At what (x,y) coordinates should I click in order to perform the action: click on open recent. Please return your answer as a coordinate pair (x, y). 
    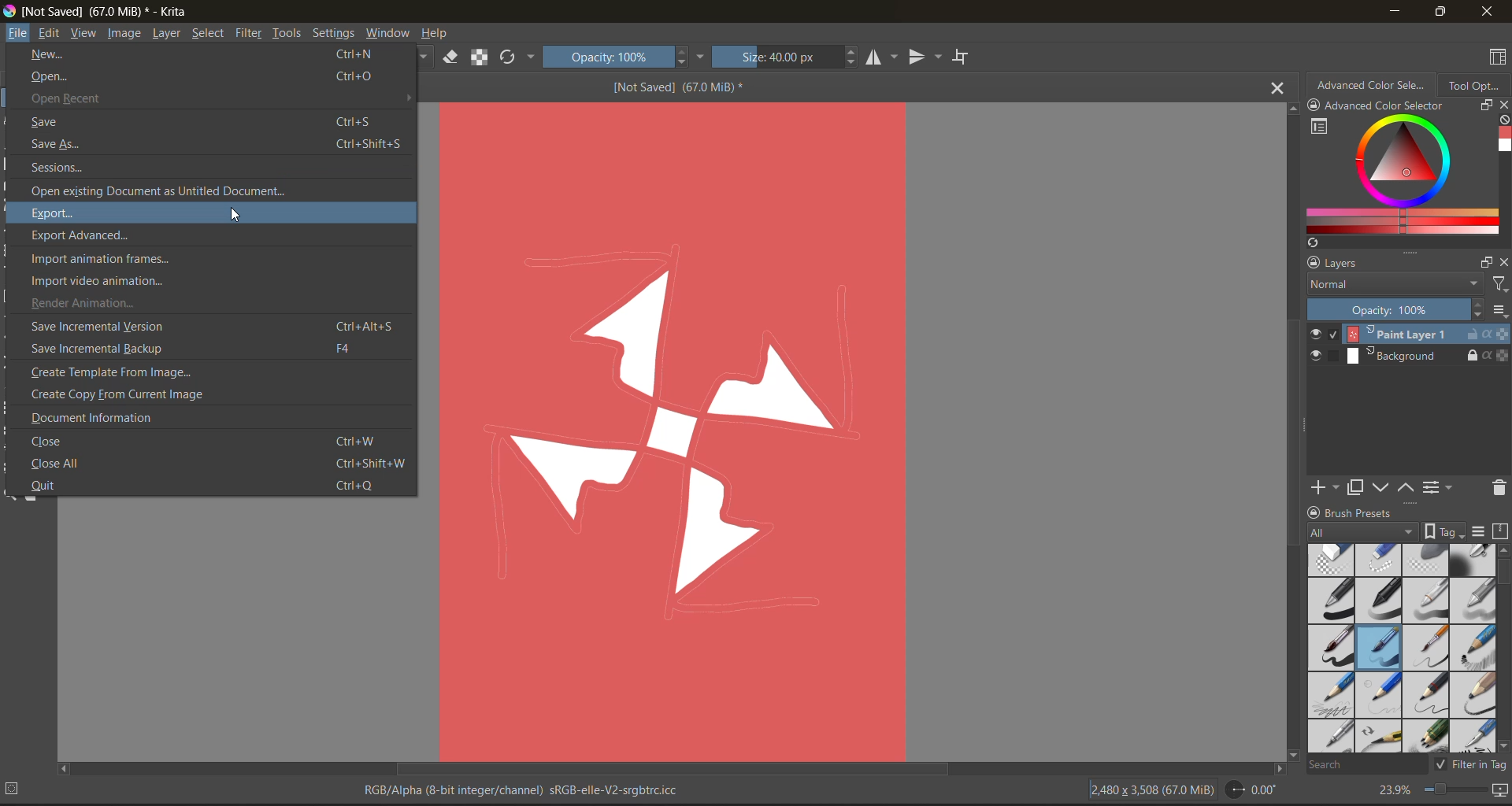
    Looking at the image, I should click on (202, 98).